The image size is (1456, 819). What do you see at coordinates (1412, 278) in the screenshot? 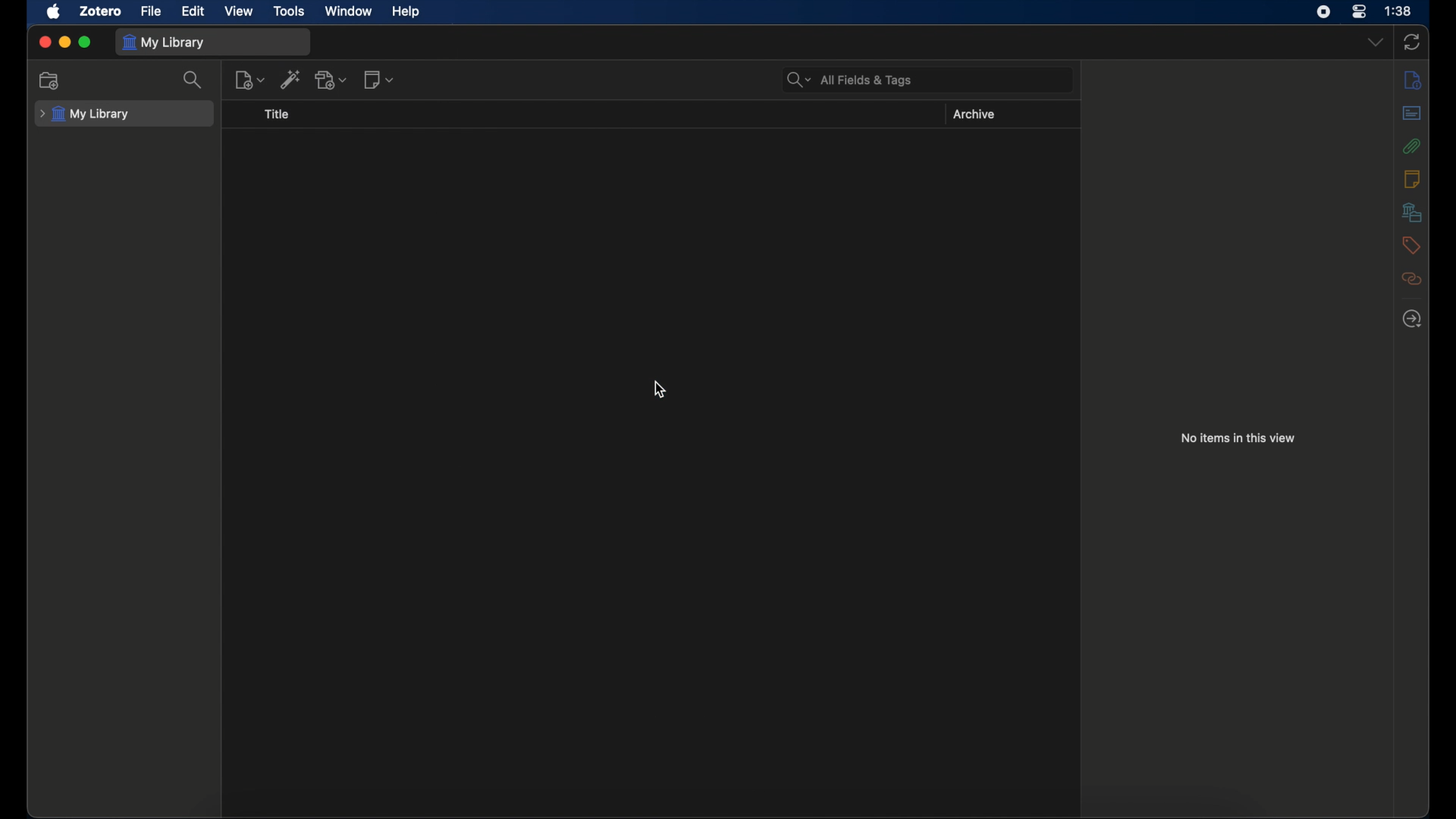
I see `related` at bounding box center [1412, 278].